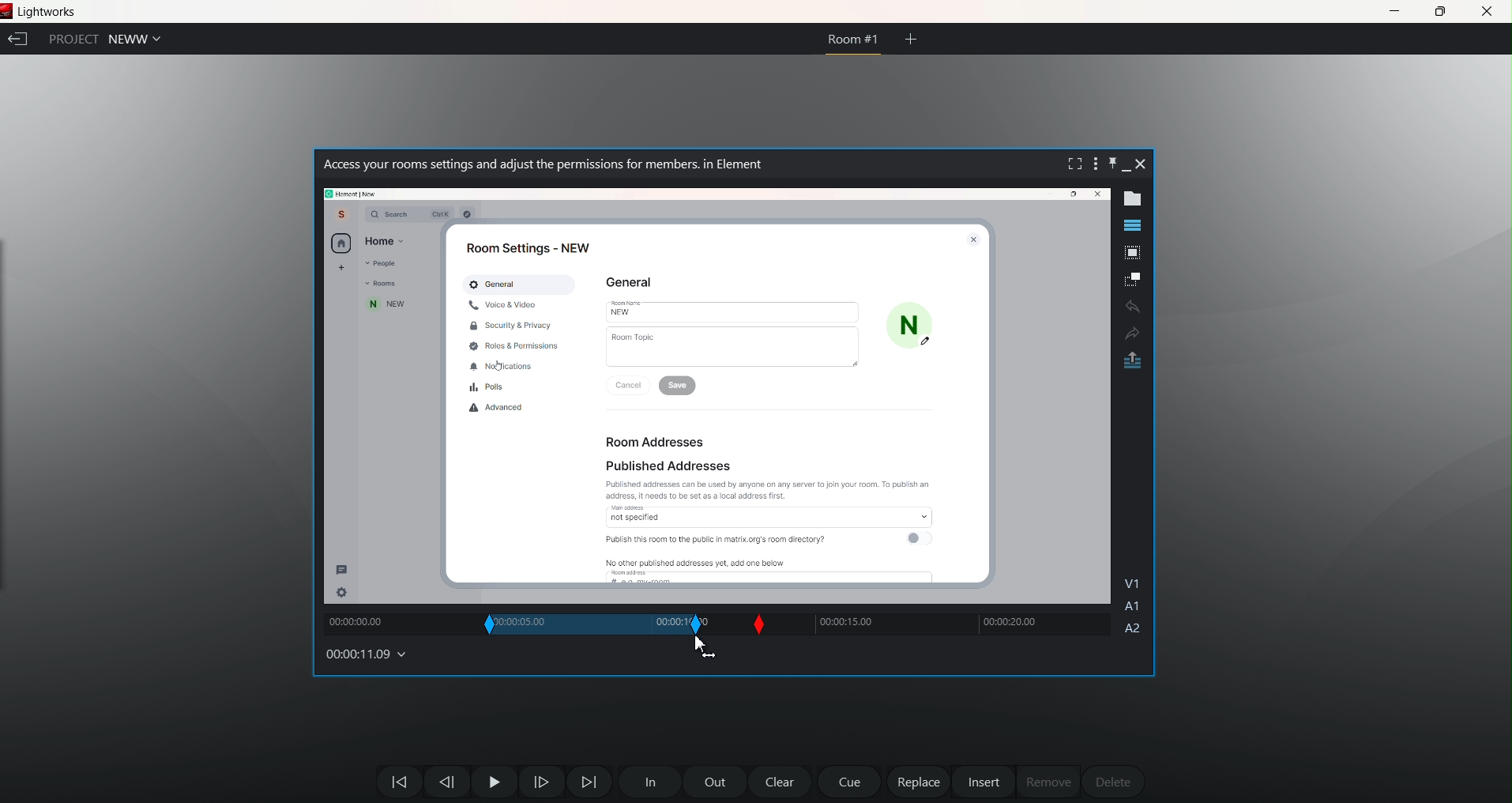 The image size is (1512, 803). Describe the element at coordinates (698, 624) in the screenshot. I see `out slip position changed` at that location.